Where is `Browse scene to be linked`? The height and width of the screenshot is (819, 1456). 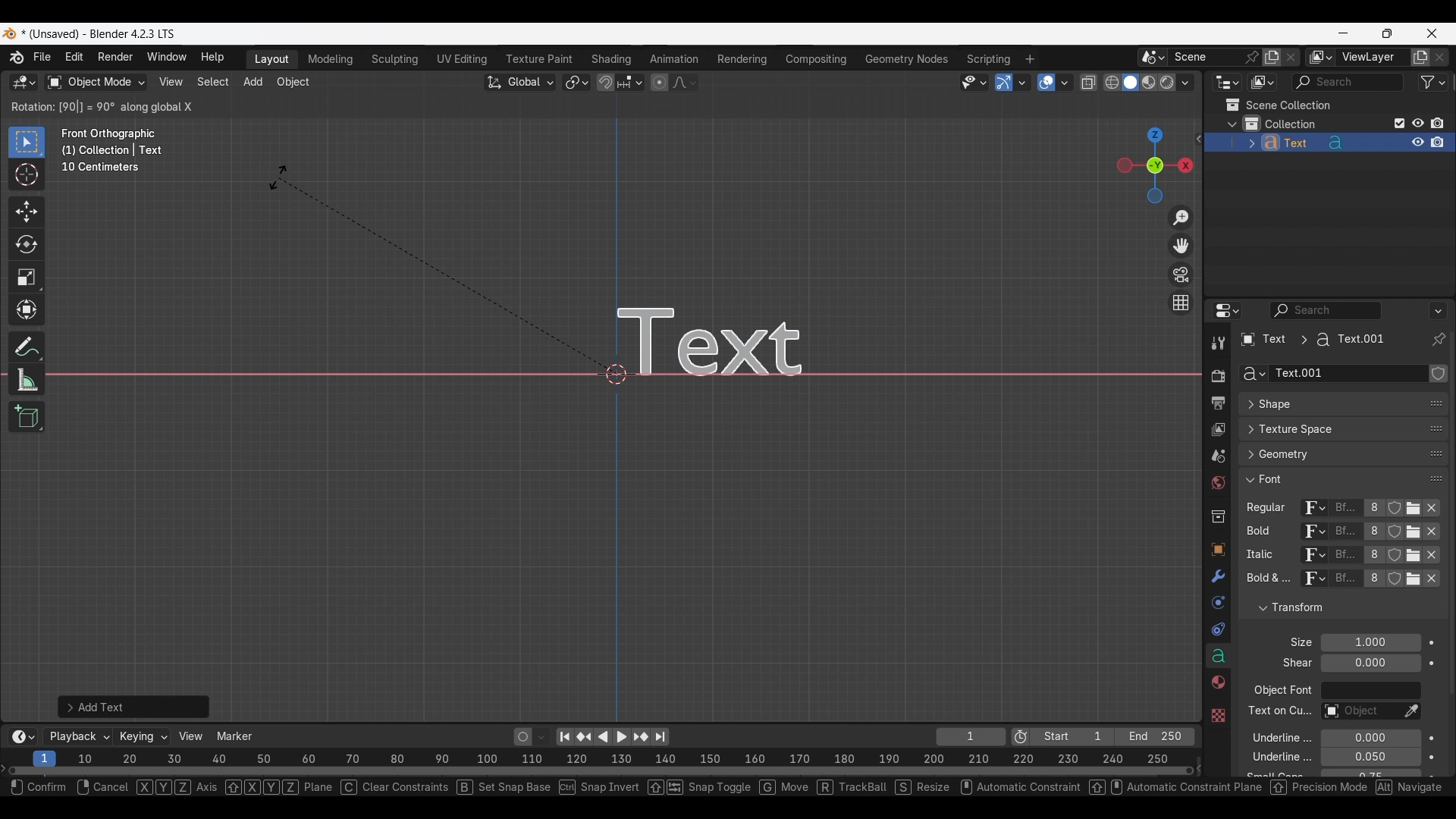
Browse scene to be linked is located at coordinates (1153, 58).